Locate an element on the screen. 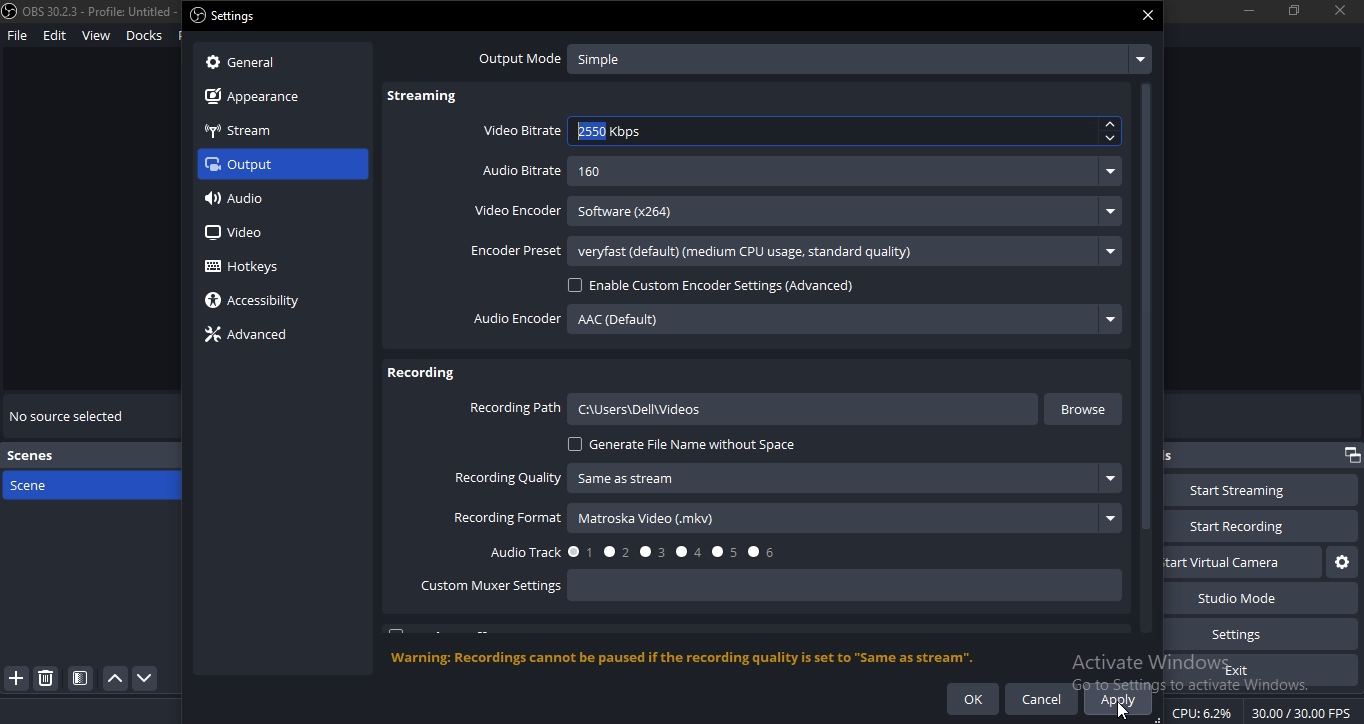 The width and height of the screenshot is (1364, 724). custom mixer settings is located at coordinates (493, 586).